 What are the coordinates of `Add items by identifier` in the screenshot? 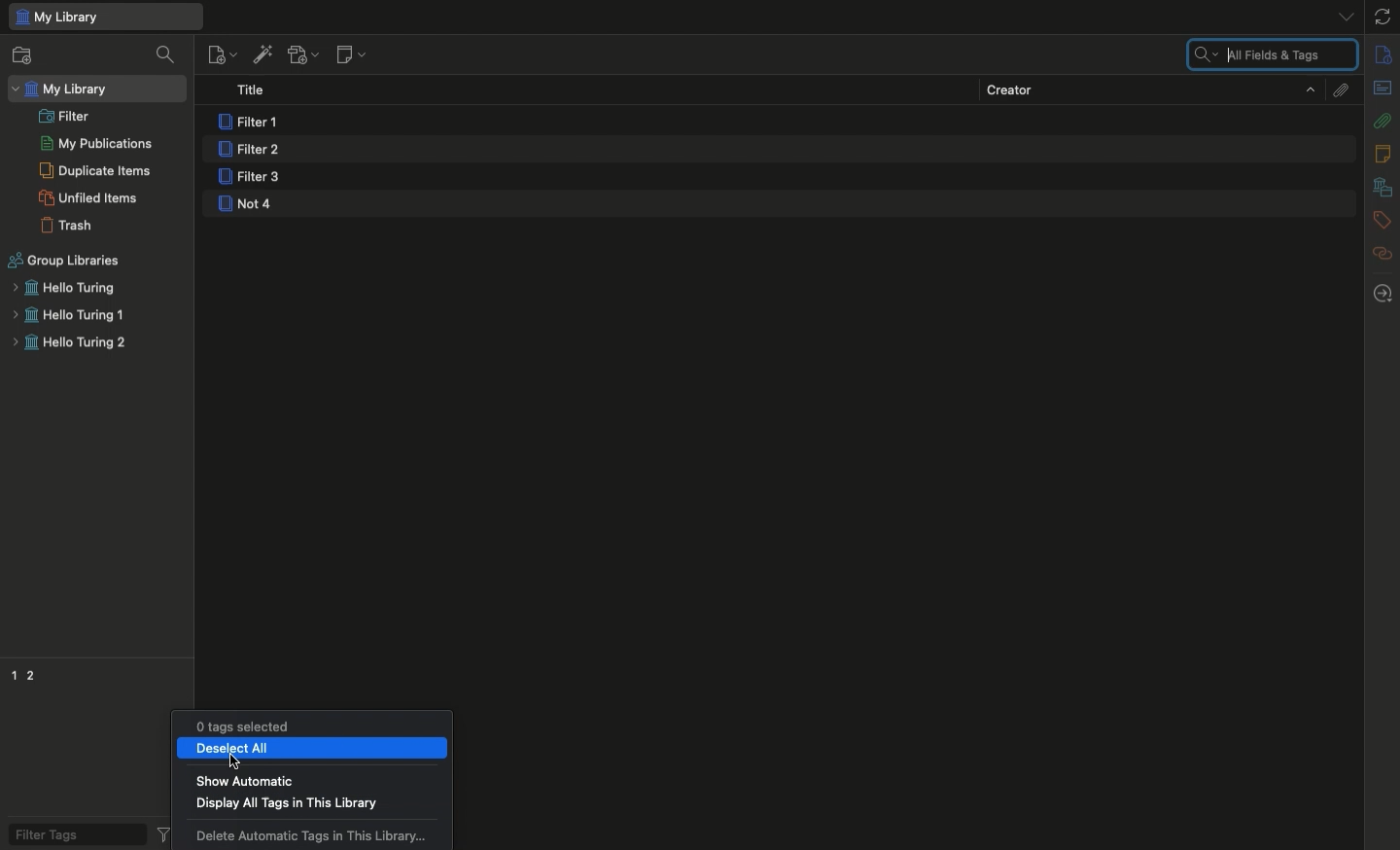 It's located at (262, 54).